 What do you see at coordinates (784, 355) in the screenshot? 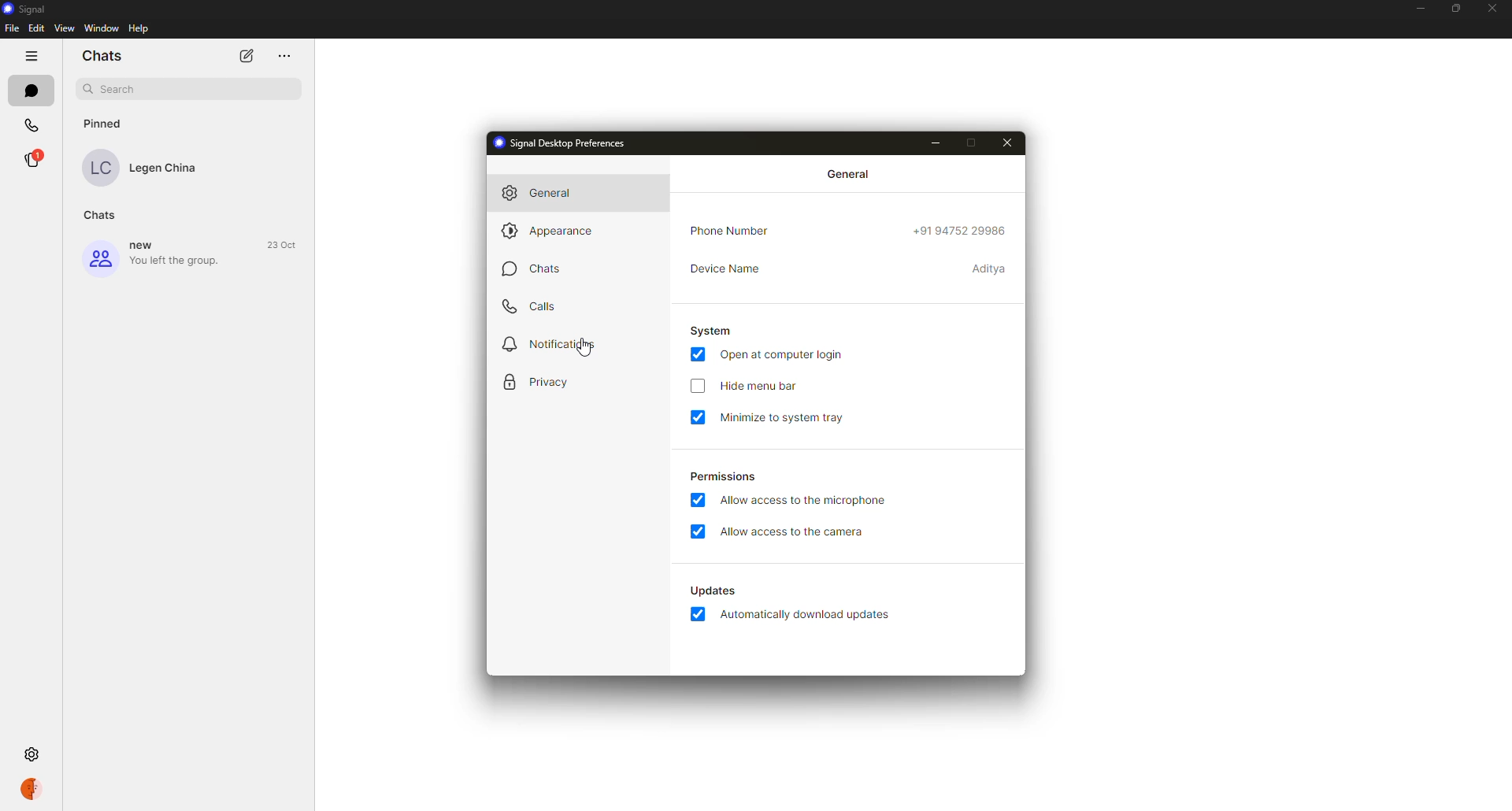
I see `open at computer login` at bounding box center [784, 355].